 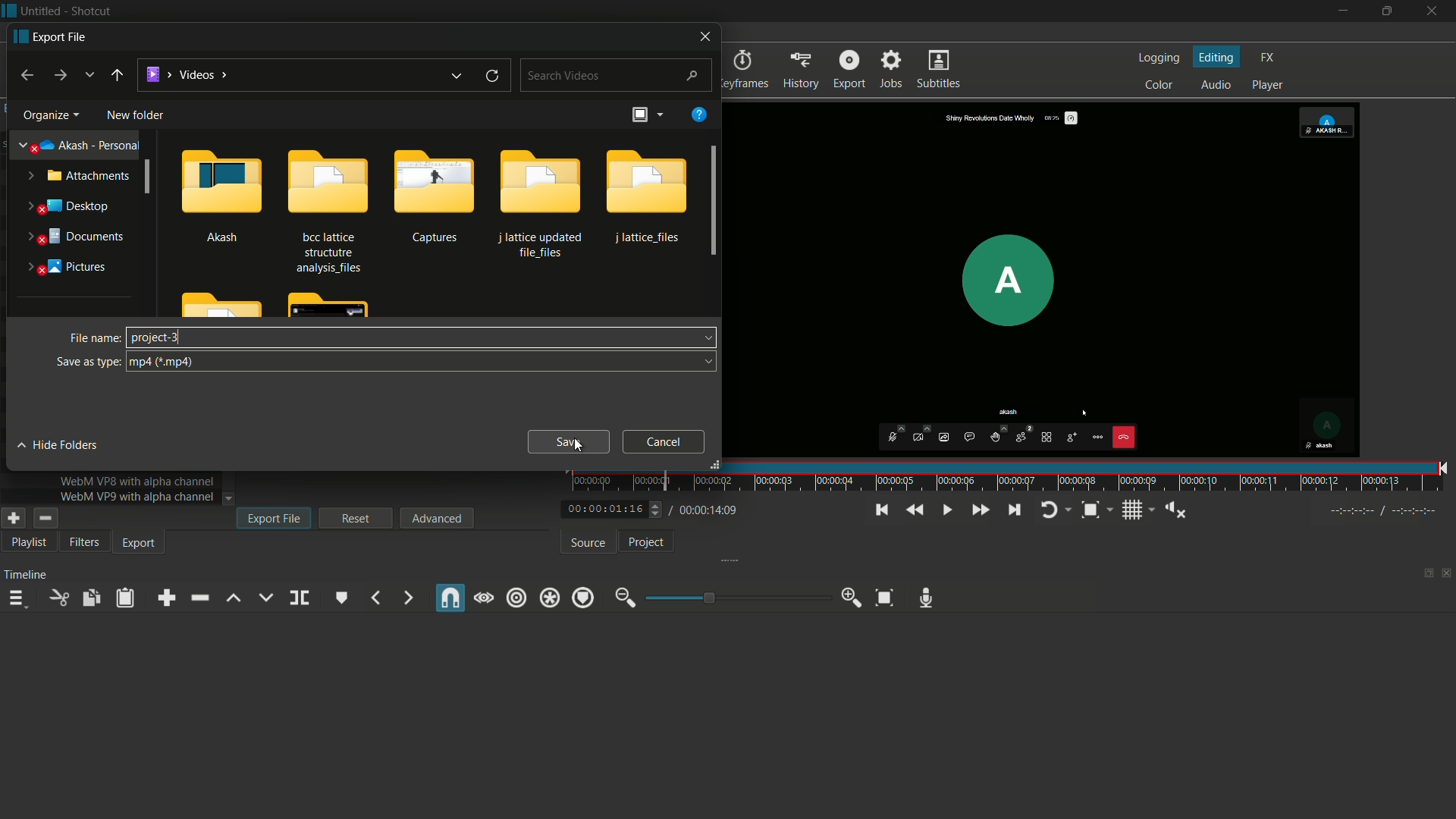 What do you see at coordinates (622, 598) in the screenshot?
I see `zoom out` at bounding box center [622, 598].